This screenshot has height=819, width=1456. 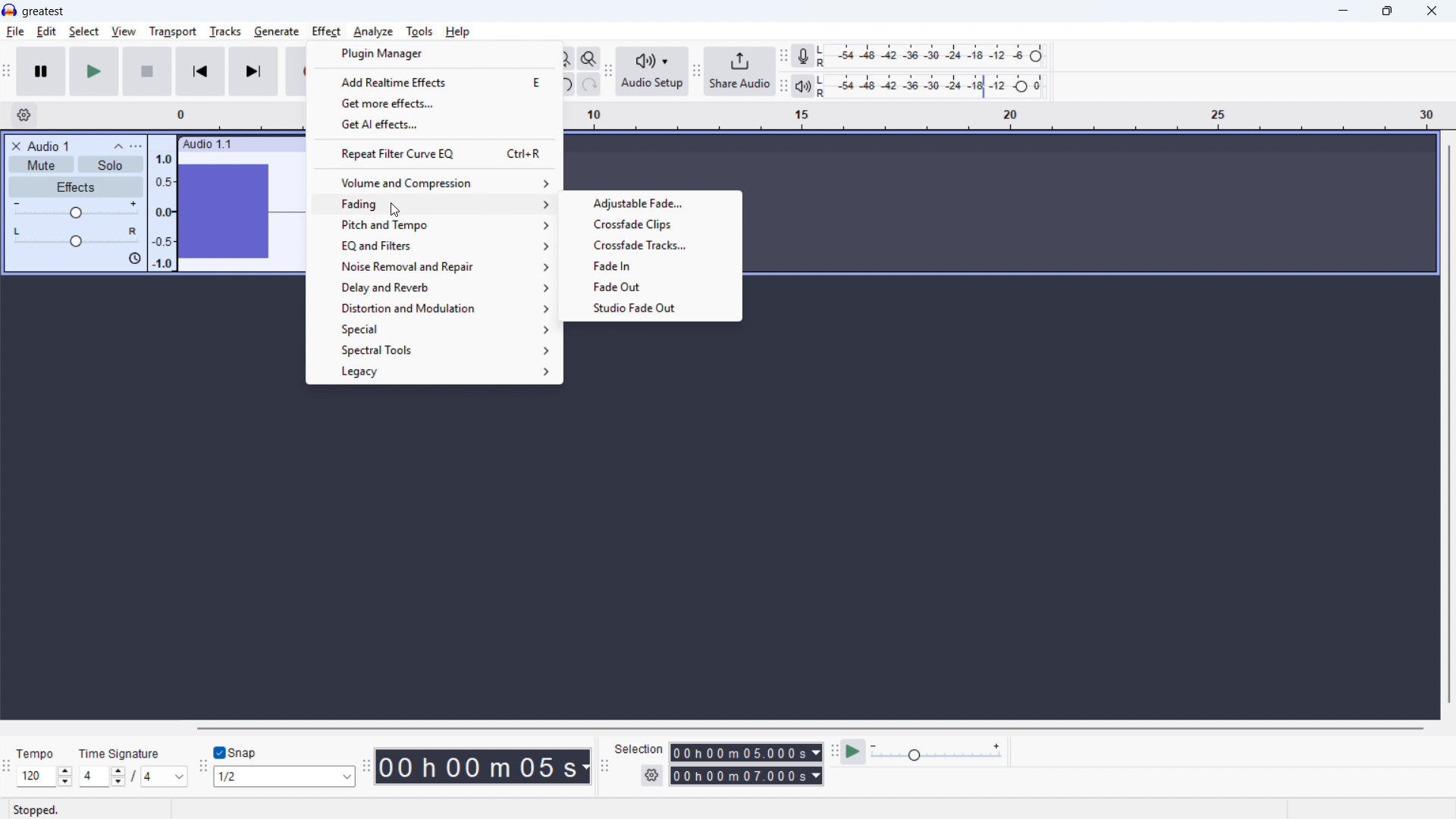 I want to click on amplitude, so click(x=163, y=209).